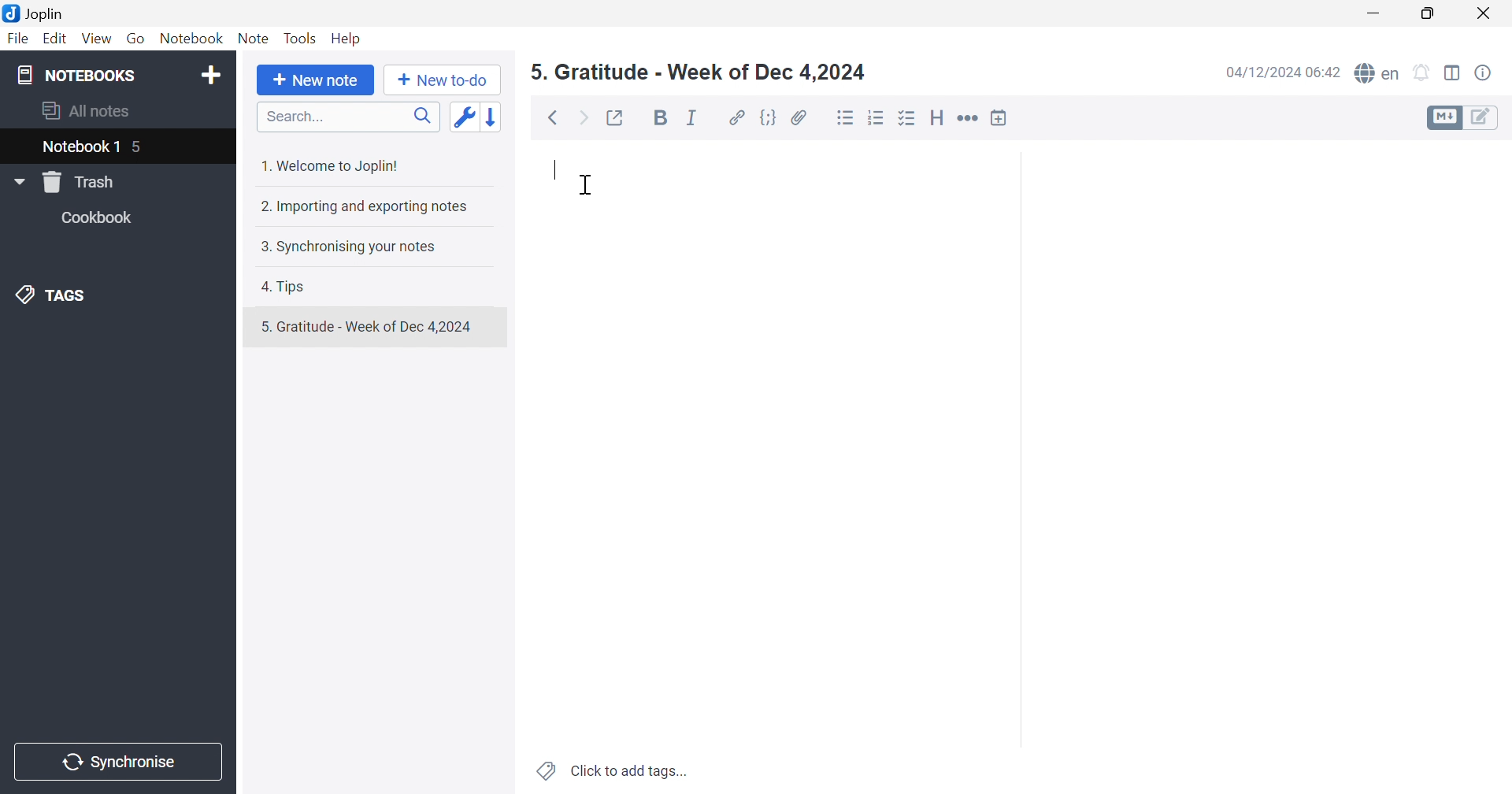  I want to click on Cursor, so click(587, 185).